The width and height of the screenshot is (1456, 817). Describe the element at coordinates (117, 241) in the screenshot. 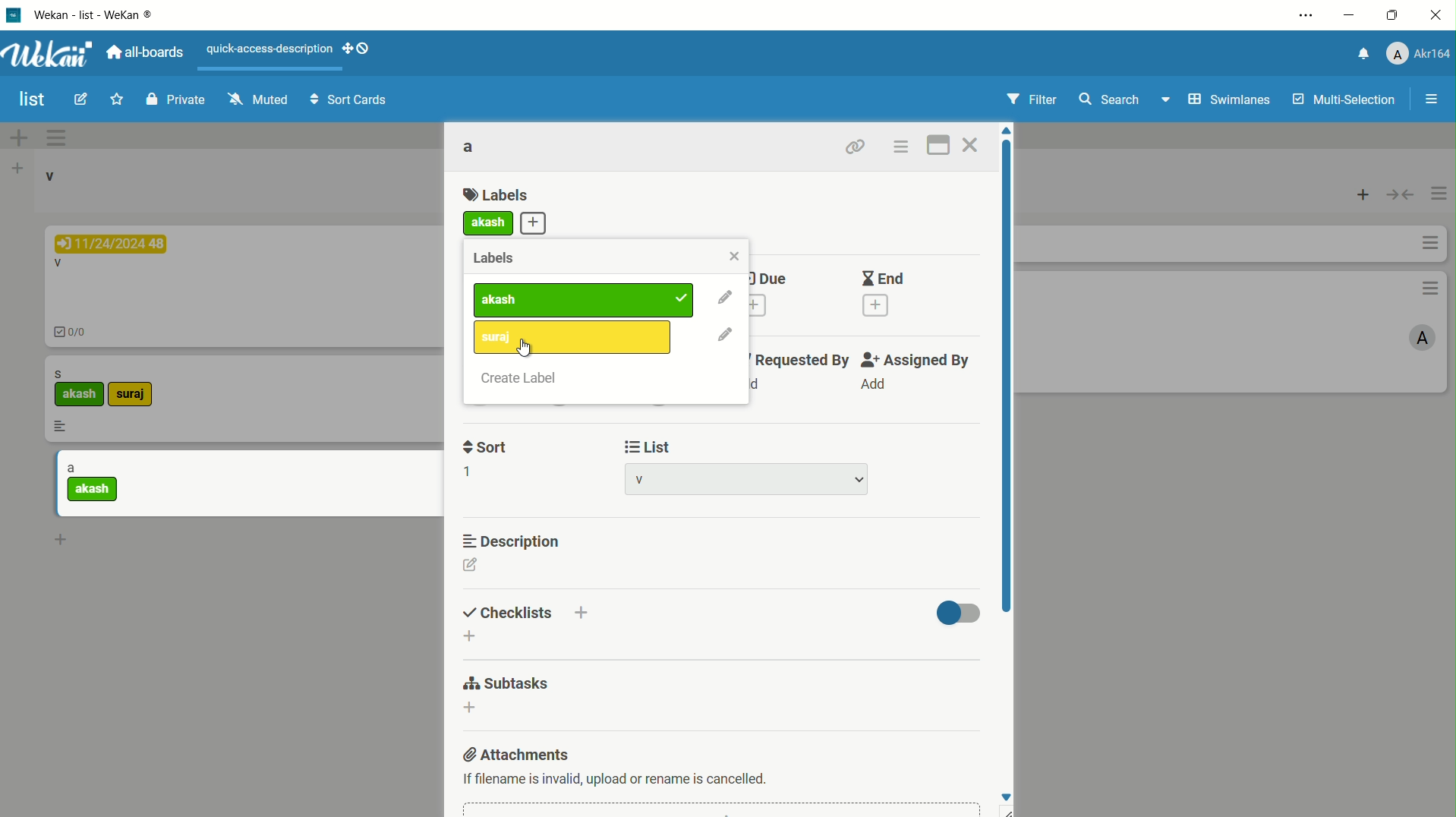

I see `11/24/2024 48 ` at that location.